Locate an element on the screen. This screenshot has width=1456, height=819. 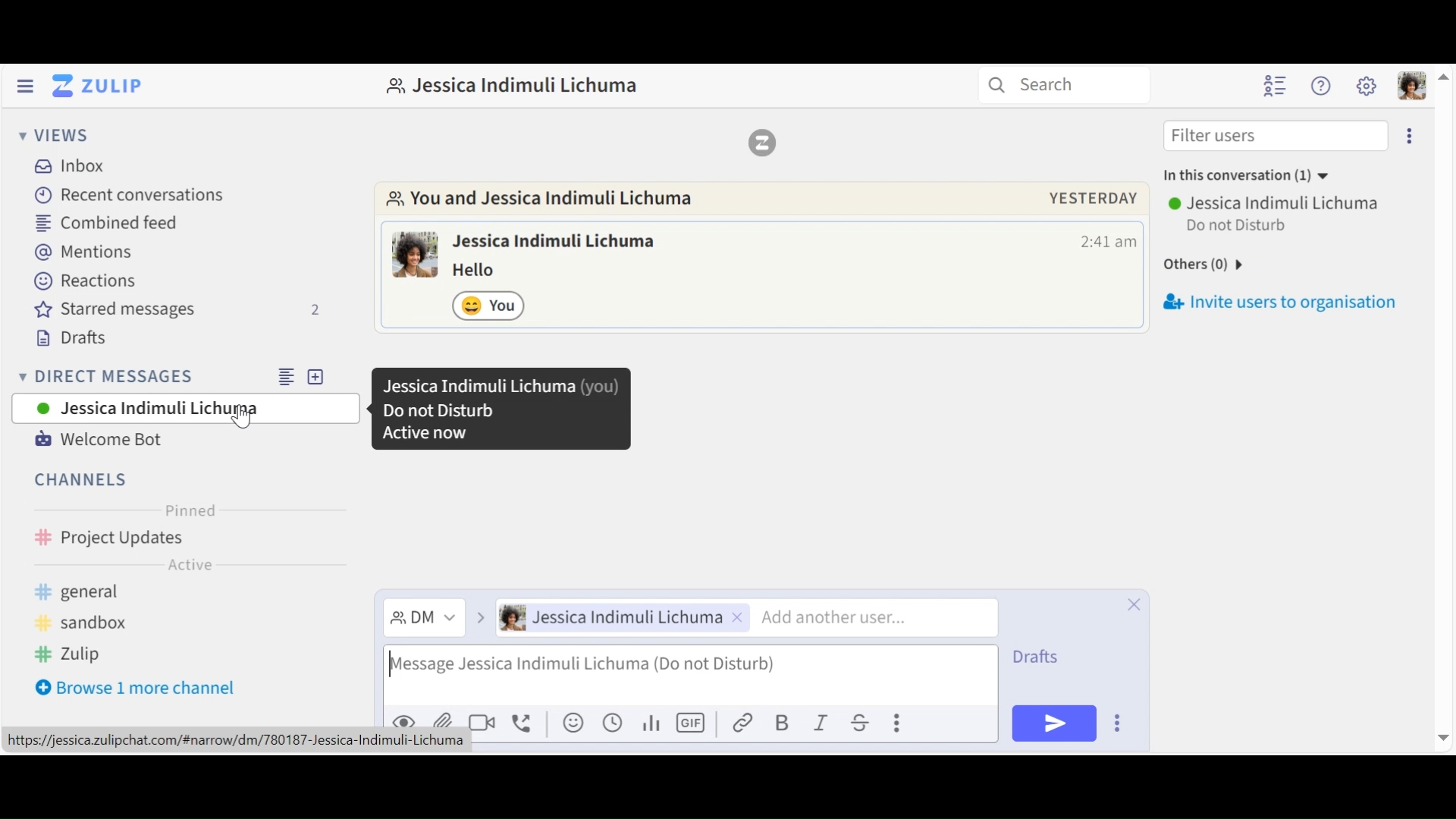
Zulip is located at coordinates (762, 142).